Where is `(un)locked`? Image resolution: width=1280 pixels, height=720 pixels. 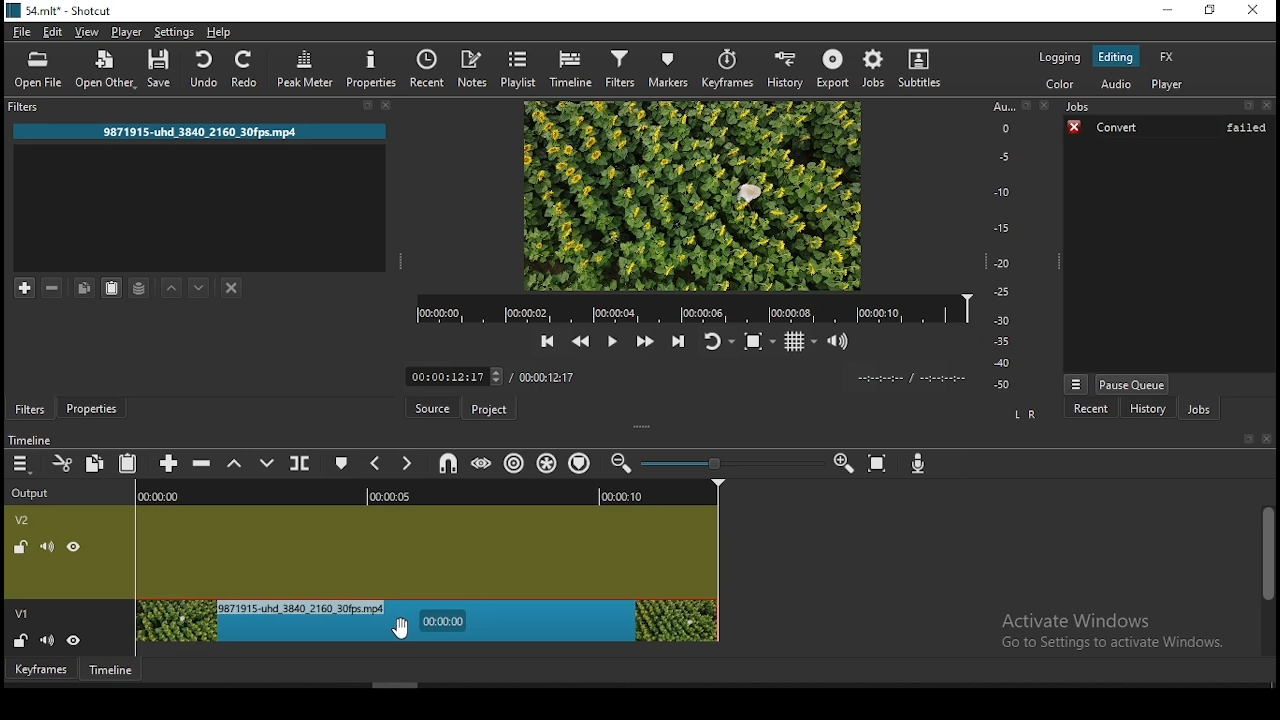 (un)locked is located at coordinates (23, 639).